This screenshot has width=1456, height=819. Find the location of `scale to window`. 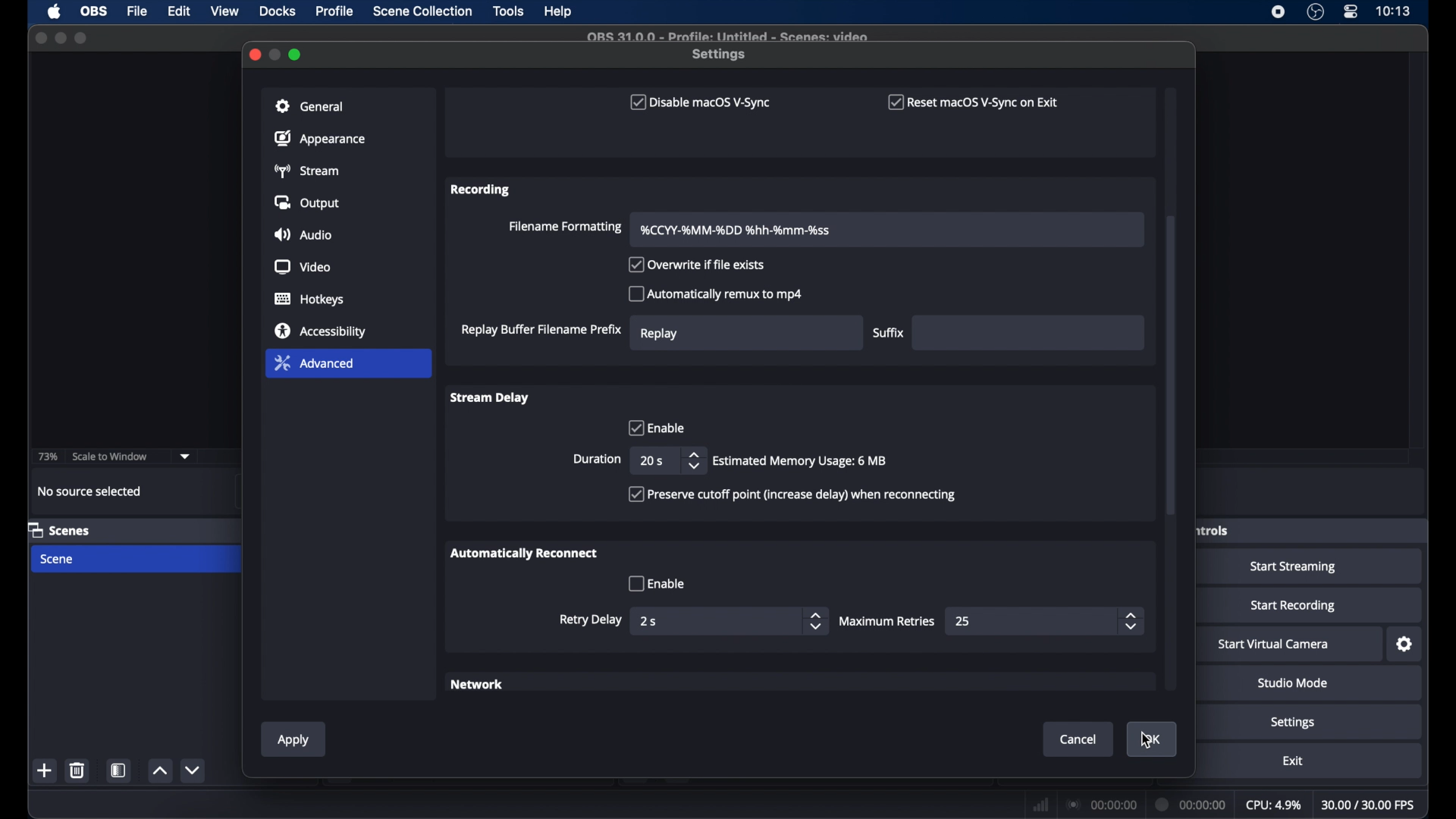

scale to window is located at coordinates (111, 456).